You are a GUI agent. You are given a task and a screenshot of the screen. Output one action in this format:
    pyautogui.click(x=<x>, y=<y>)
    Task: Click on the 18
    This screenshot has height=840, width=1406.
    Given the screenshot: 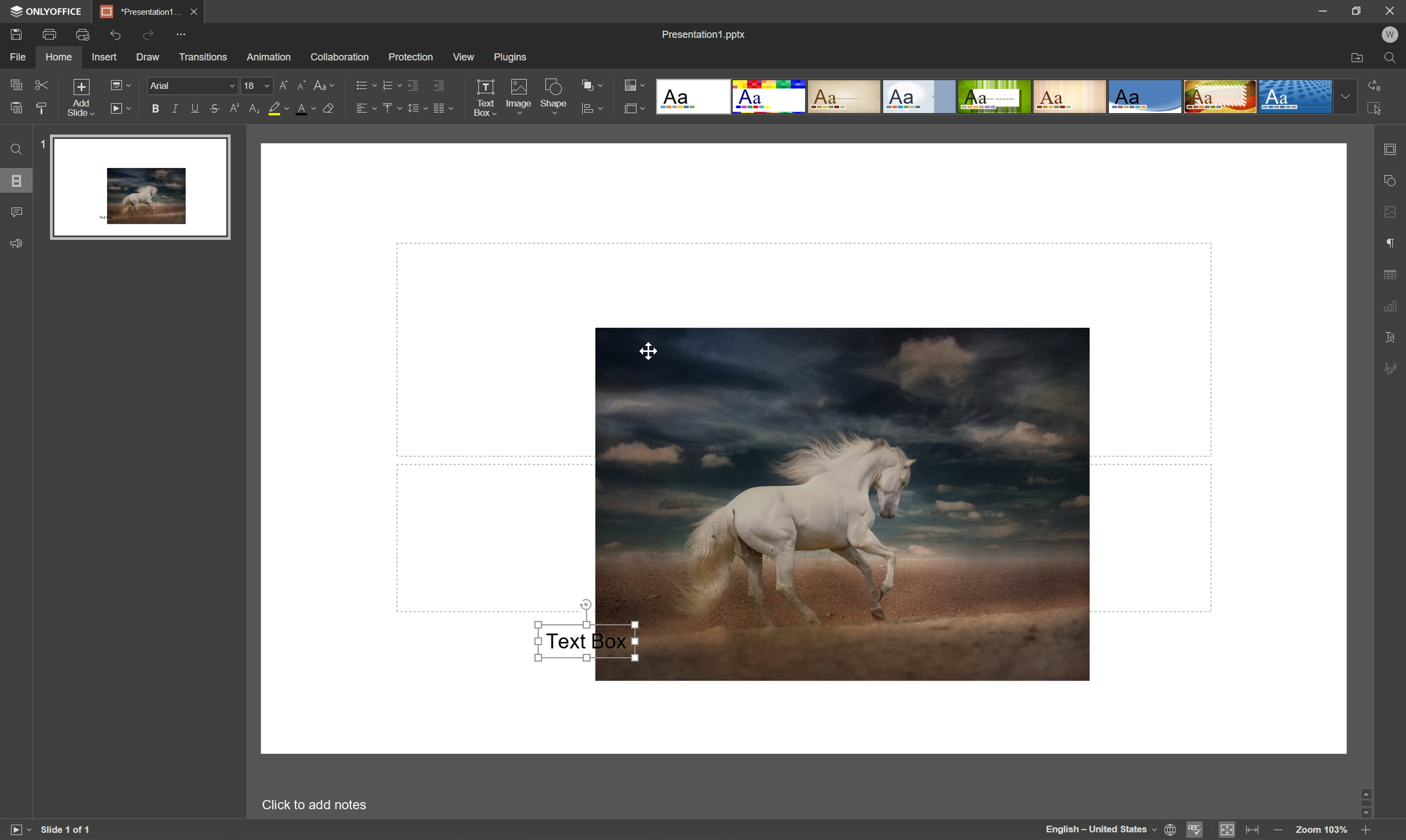 What is the action you would take?
    pyautogui.click(x=257, y=86)
    